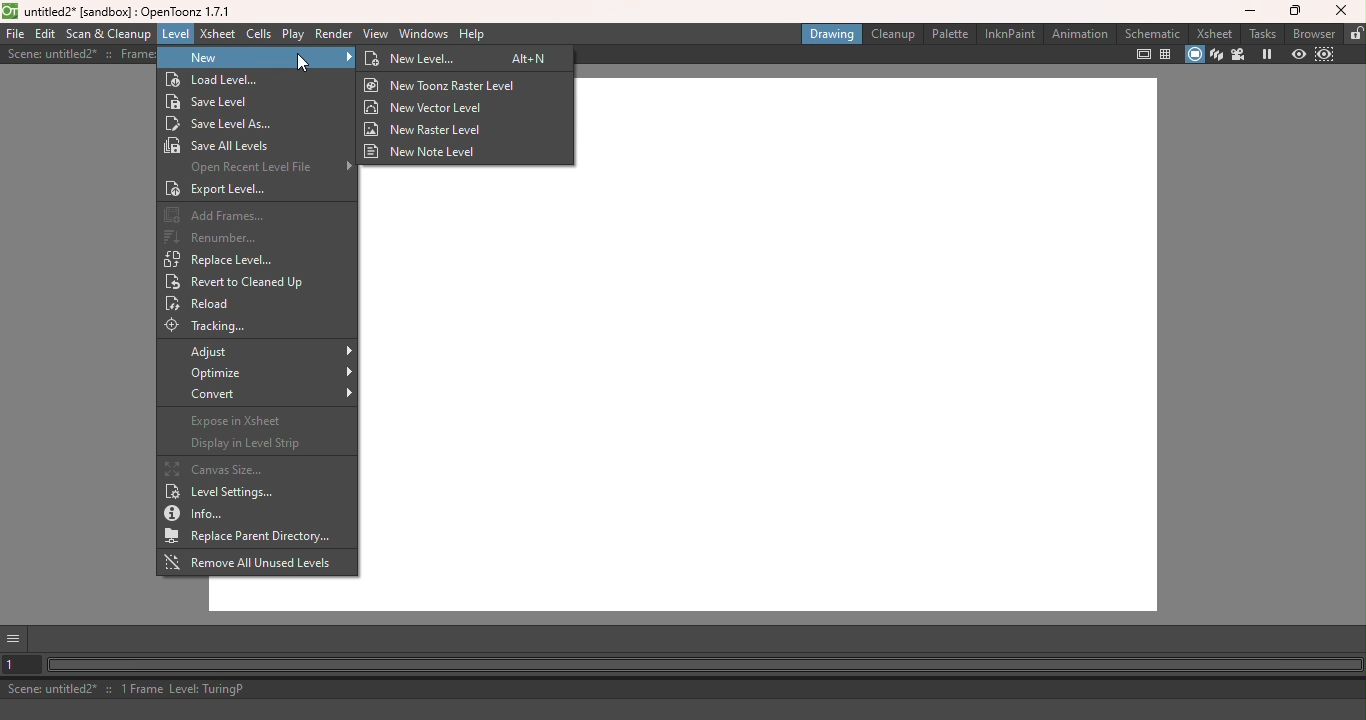 The width and height of the screenshot is (1366, 720). Describe the element at coordinates (1219, 54) in the screenshot. I see `3D view` at that location.